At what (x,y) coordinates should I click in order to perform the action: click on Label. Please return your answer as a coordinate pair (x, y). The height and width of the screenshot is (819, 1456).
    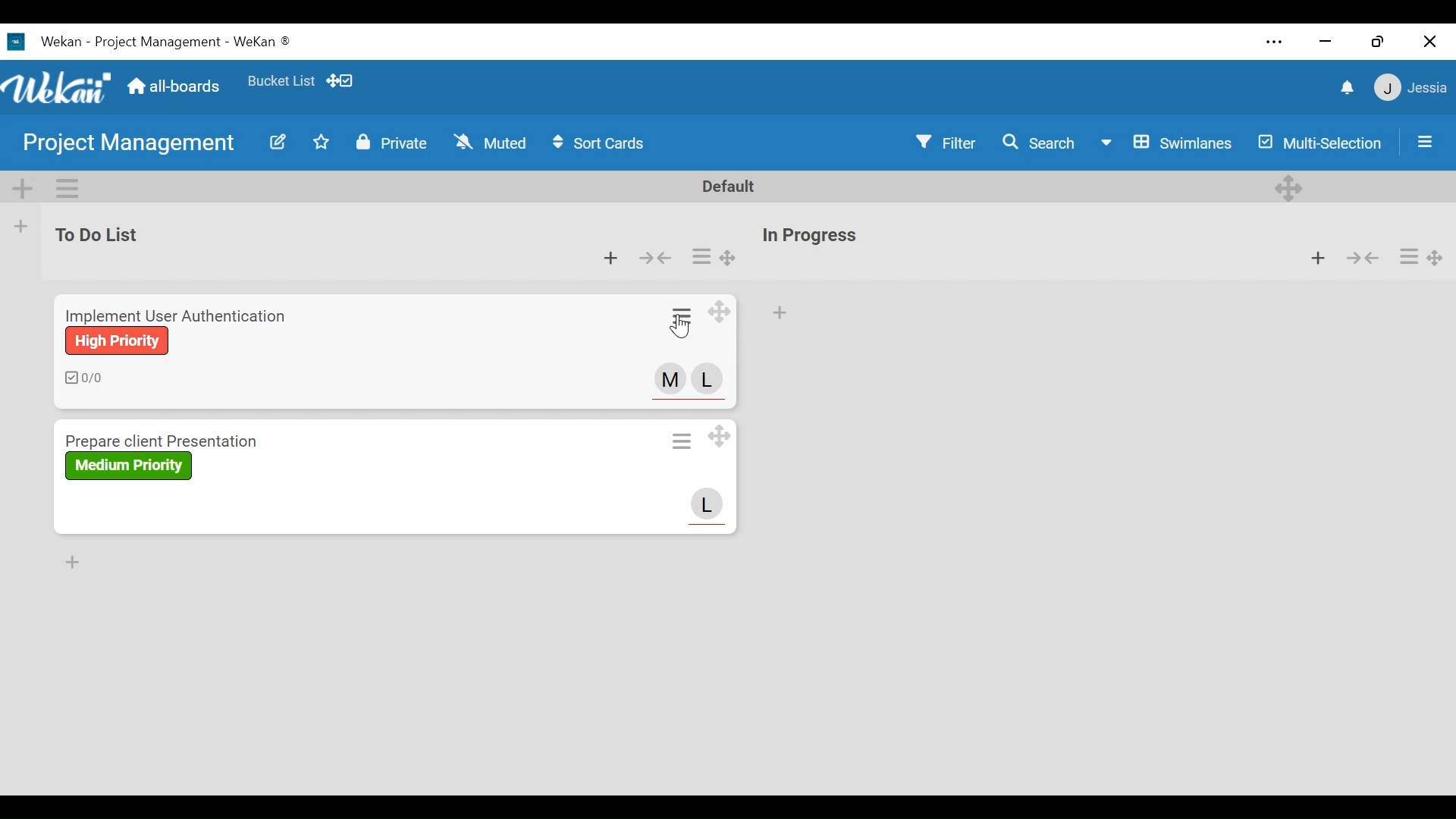
    Looking at the image, I should click on (116, 340).